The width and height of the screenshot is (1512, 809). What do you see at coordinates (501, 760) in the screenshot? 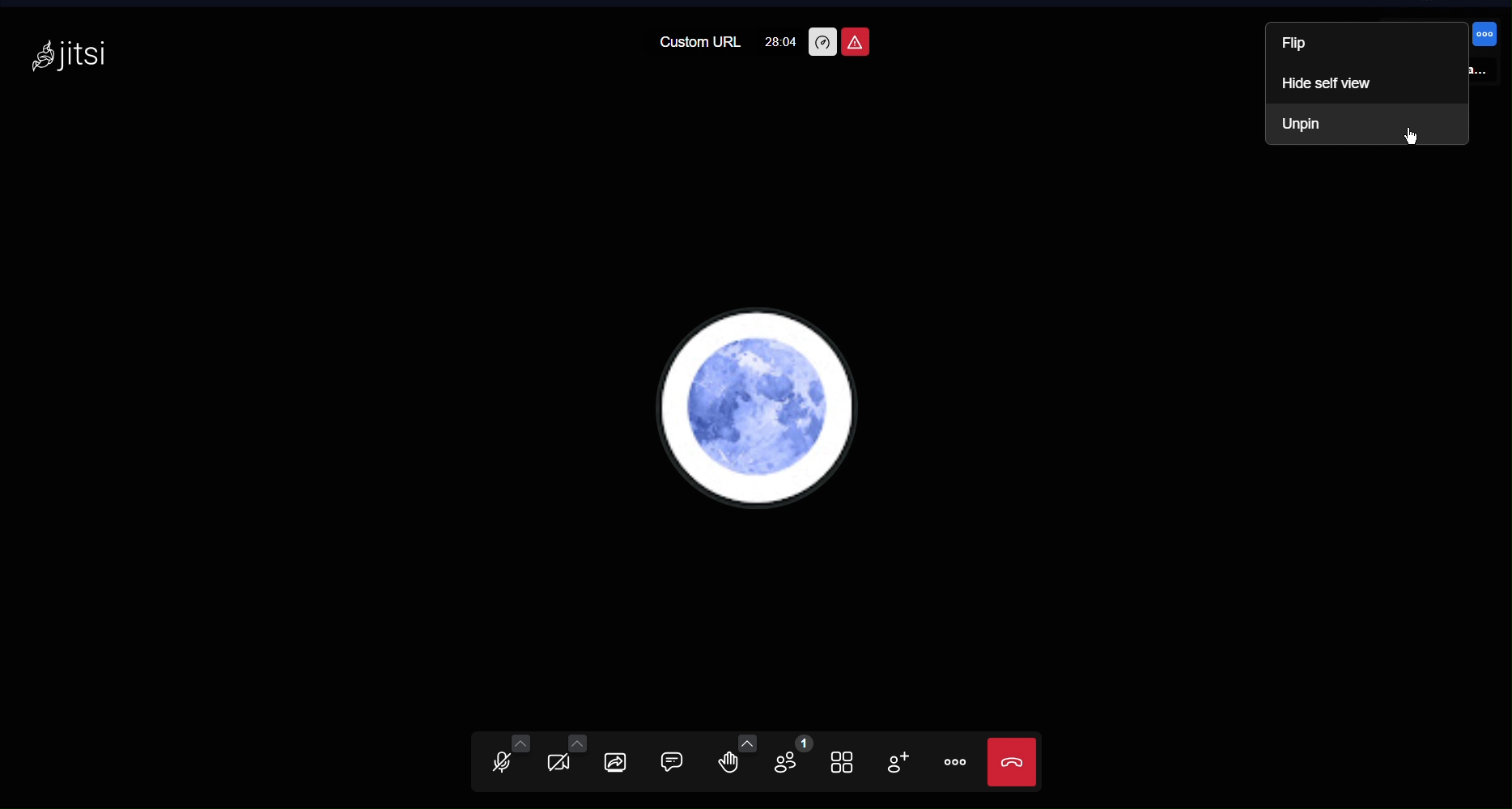
I see `Audio` at bounding box center [501, 760].